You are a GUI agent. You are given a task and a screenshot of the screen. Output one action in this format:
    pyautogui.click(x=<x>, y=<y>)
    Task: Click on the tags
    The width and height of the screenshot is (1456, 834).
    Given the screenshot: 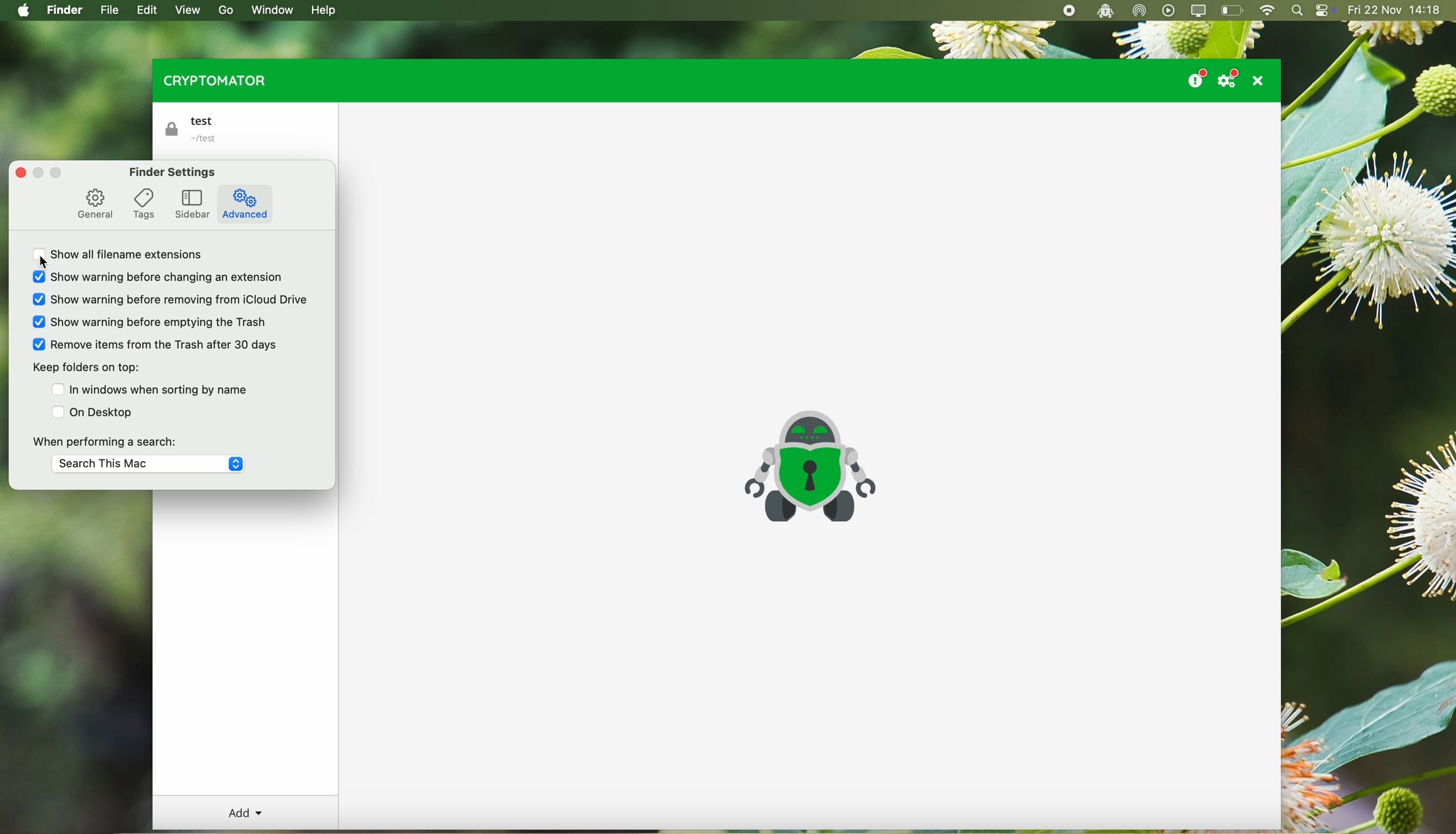 What is the action you would take?
    pyautogui.click(x=144, y=203)
    